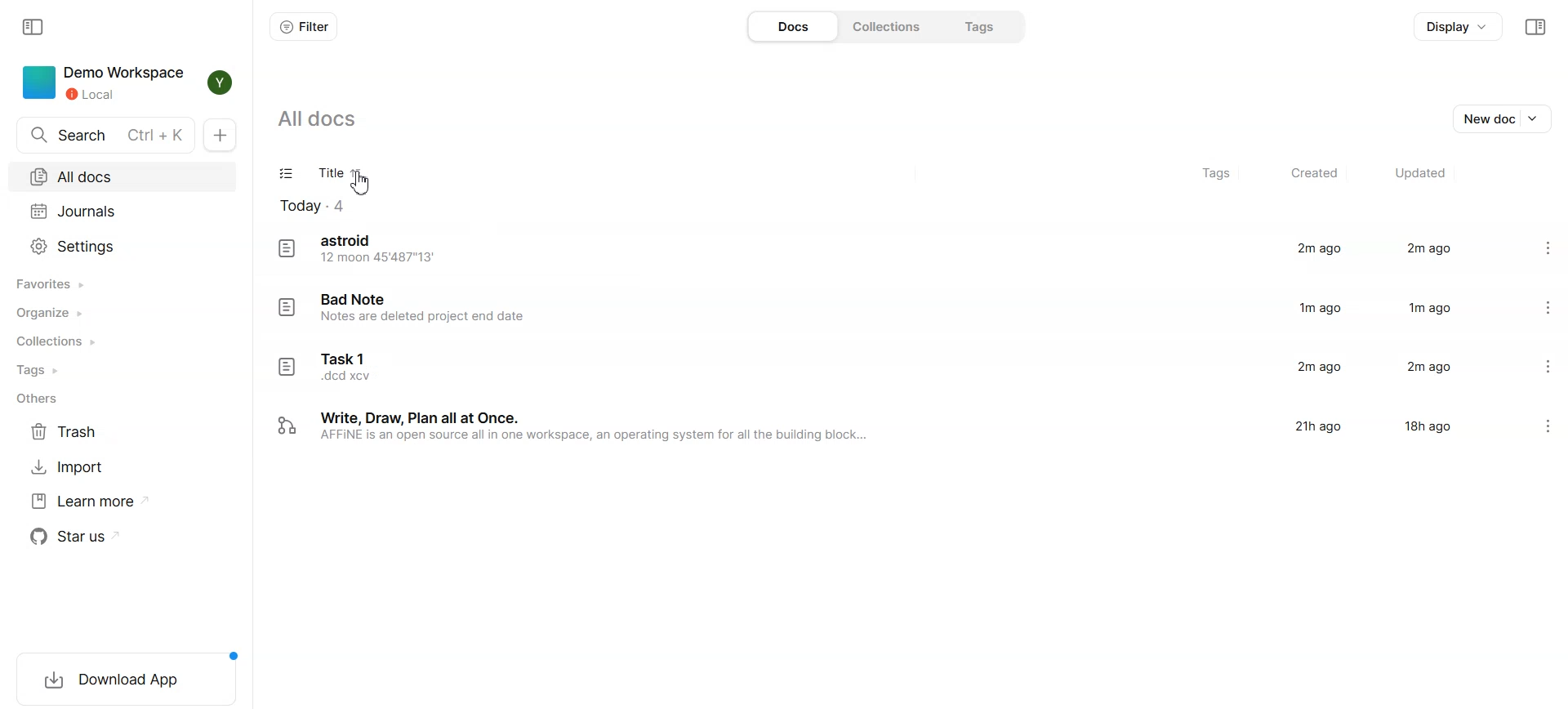  What do you see at coordinates (982, 25) in the screenshot?
I see `Tags` at bounding box center [982, 25].